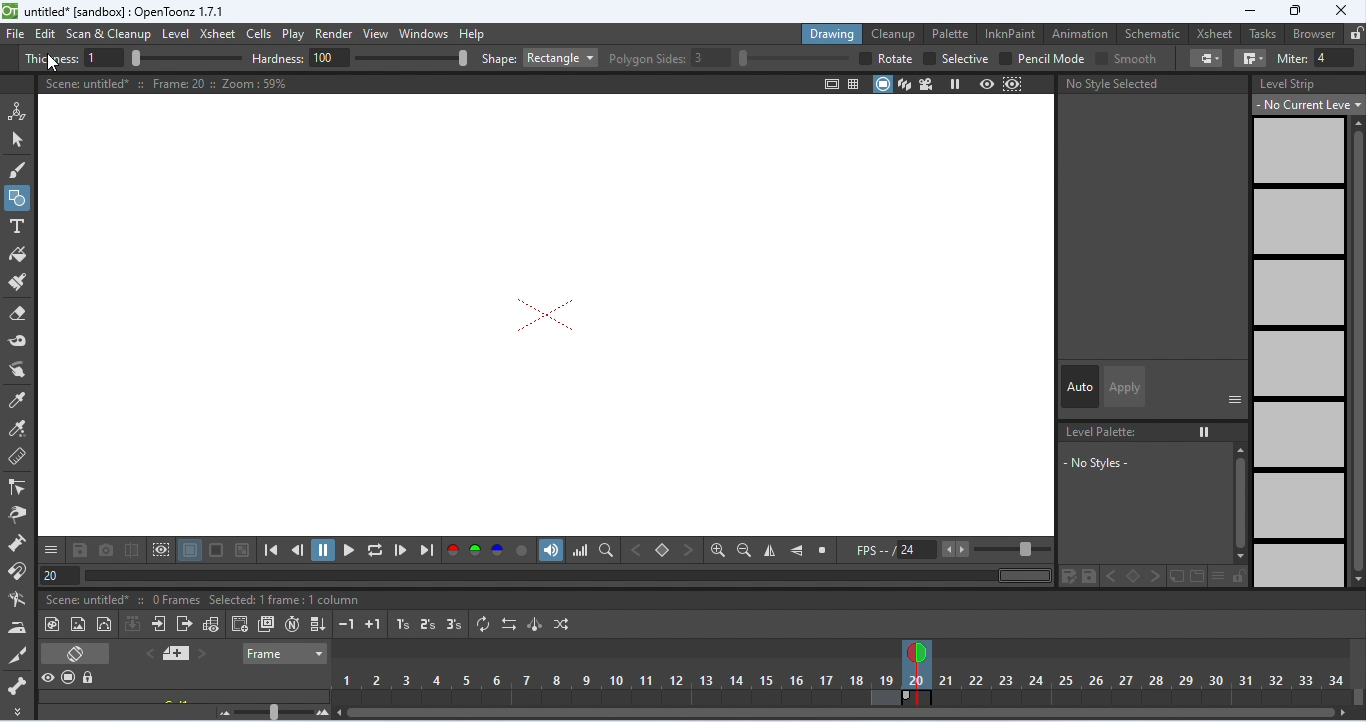 The width and height of the screenshot is (1366, 722). What do you see at coordinates (634, 551) in the screenshot?
I see `previous key` at bounding box center [634, 551].